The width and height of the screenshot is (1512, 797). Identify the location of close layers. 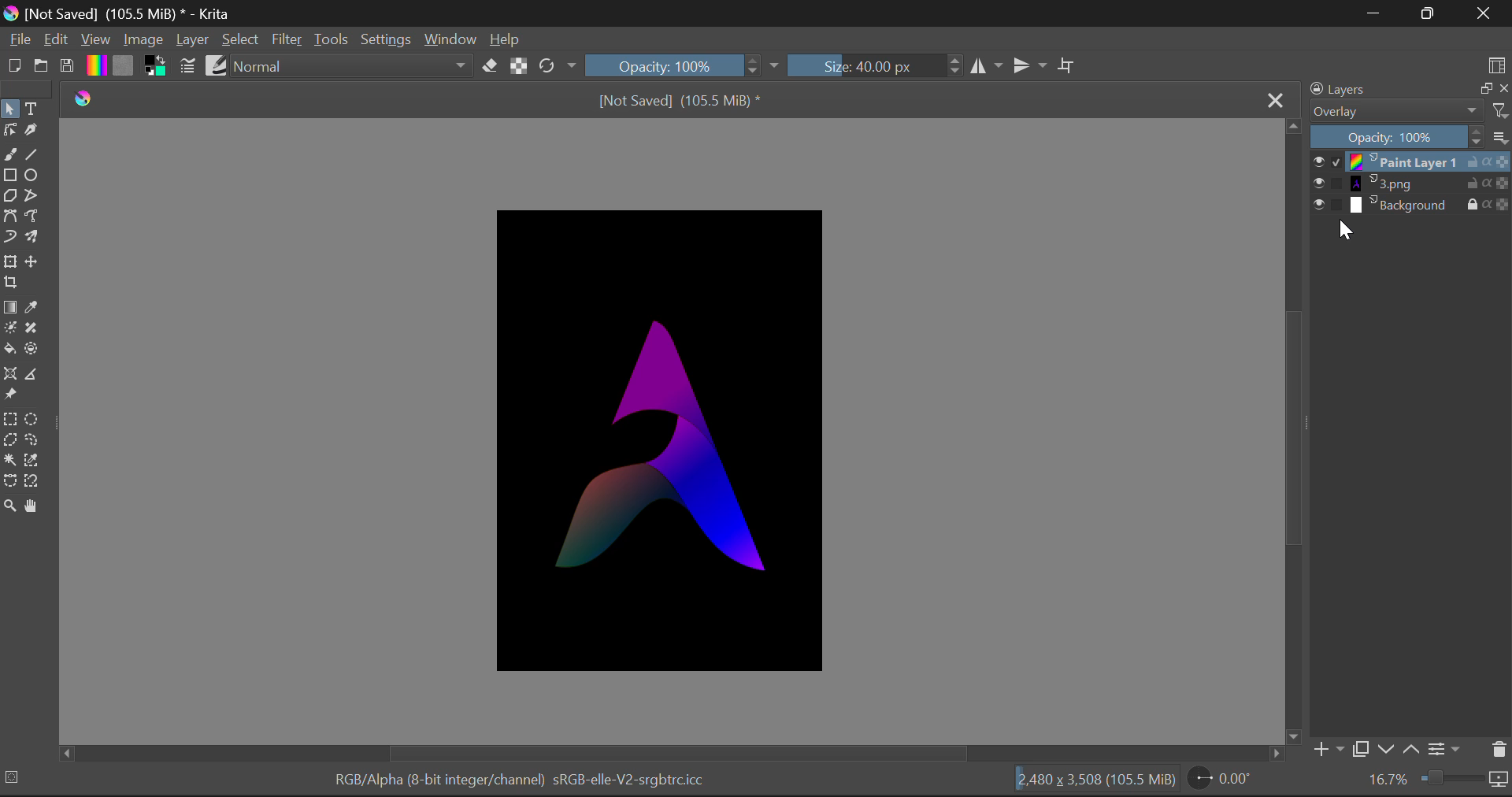
(1503, 89).